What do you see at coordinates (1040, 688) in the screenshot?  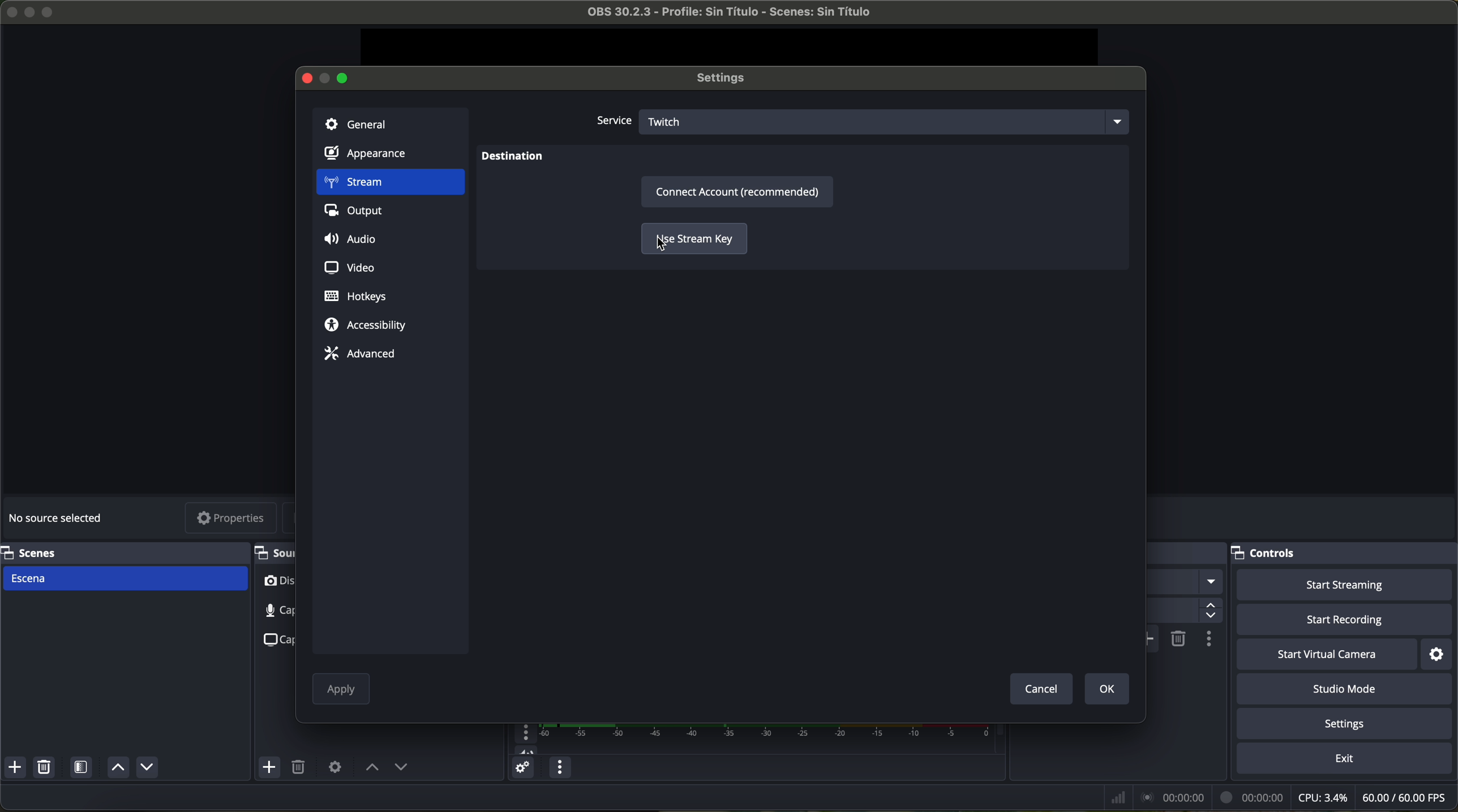 I see `cancel` at bounding box center [1040, 688].